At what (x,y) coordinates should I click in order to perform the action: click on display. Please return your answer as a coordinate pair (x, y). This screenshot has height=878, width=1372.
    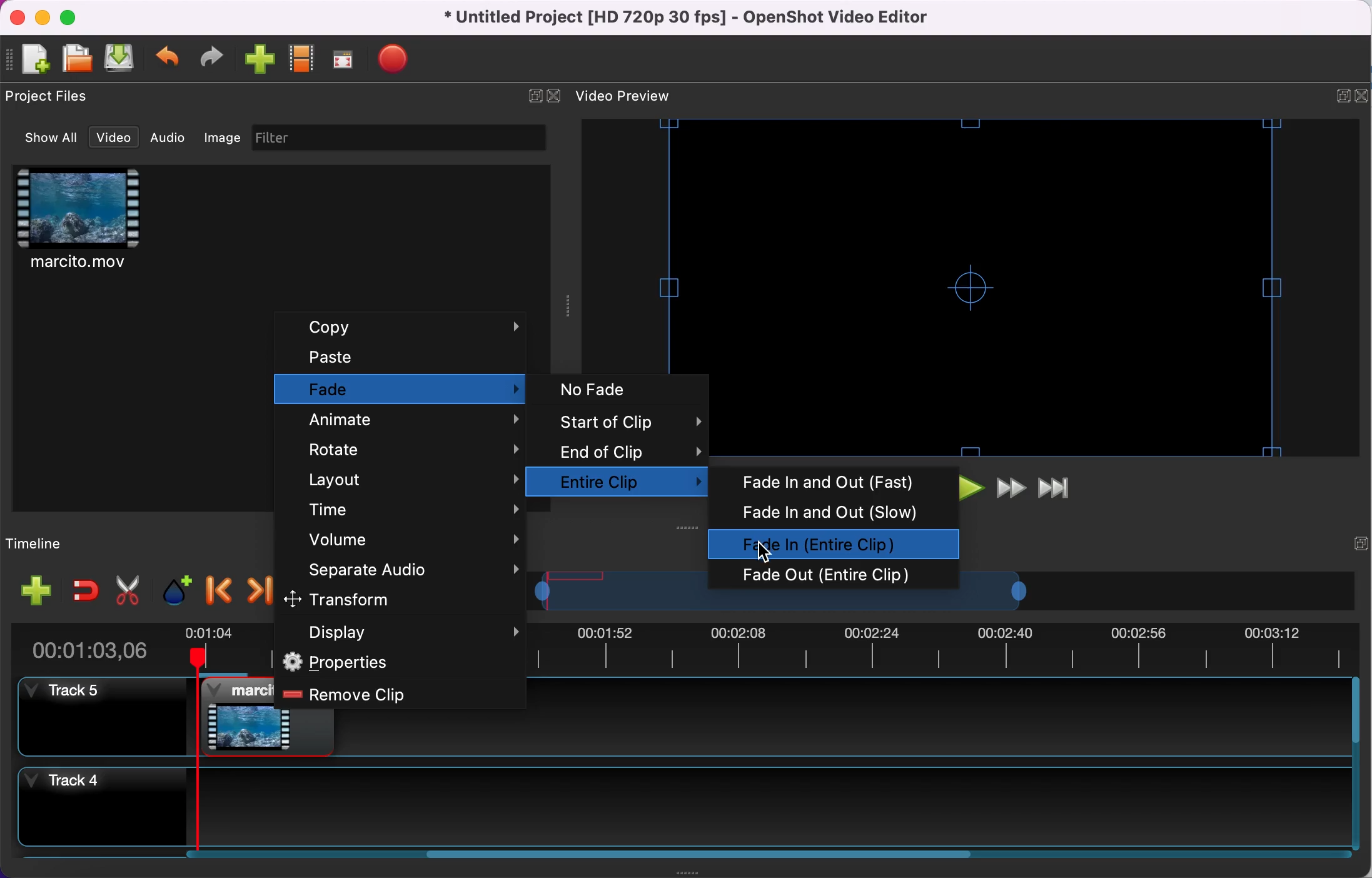
    Looking at the image, I should click on (402, 632).